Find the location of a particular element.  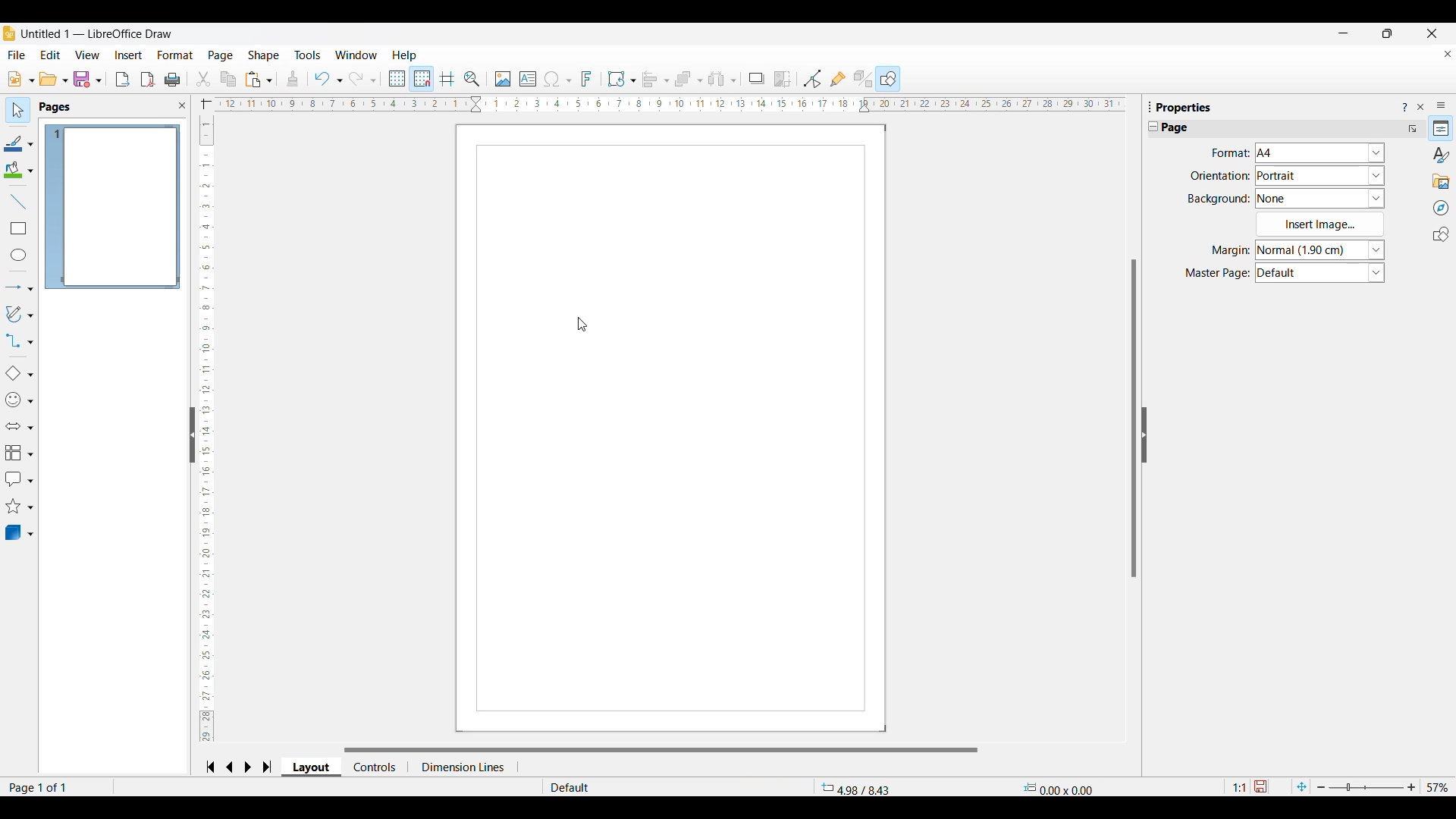

Alignment options is located at coordinates (655, 80).